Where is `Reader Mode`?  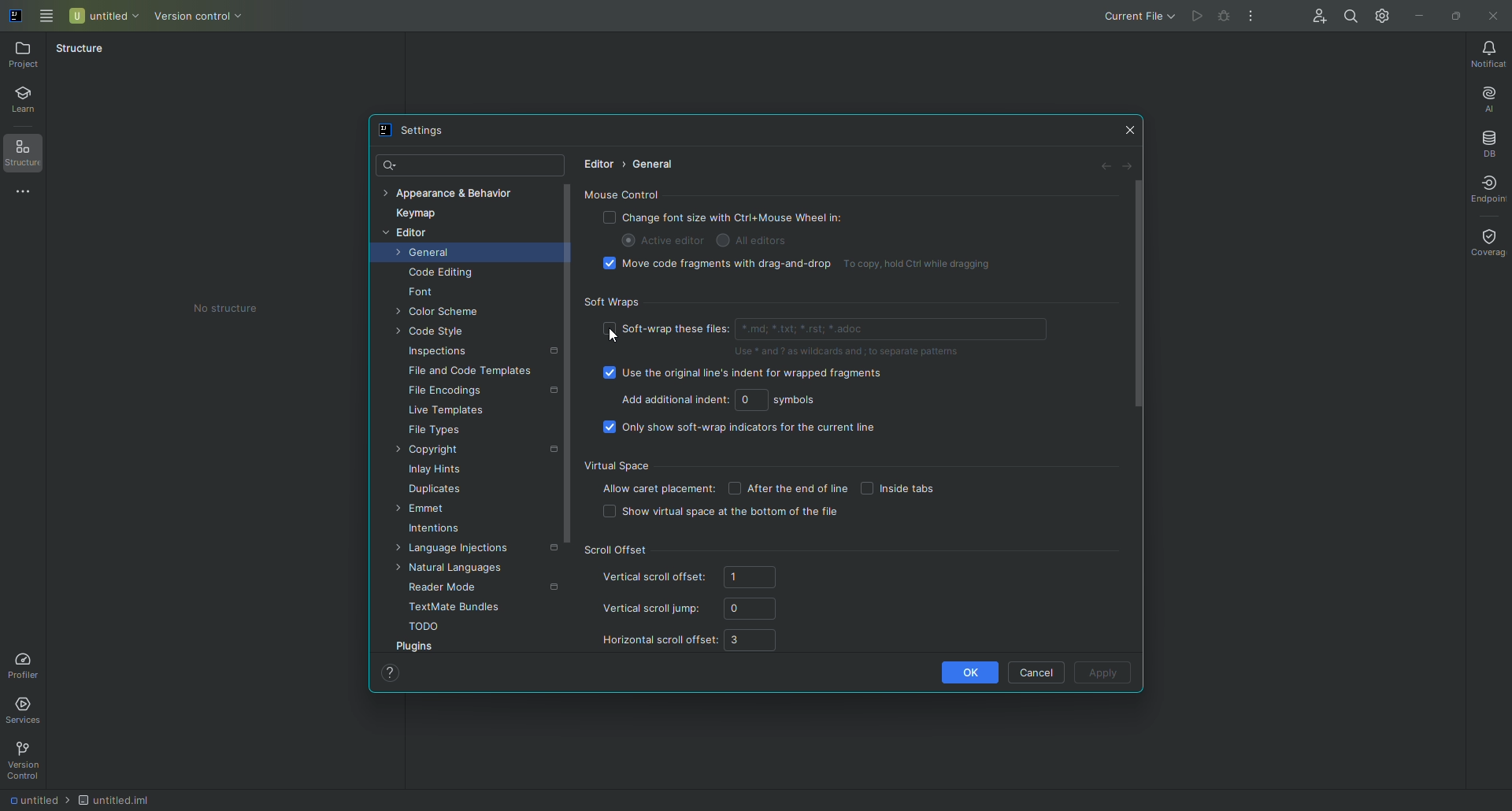 Reader Mode is located at coordinates (448, 587).